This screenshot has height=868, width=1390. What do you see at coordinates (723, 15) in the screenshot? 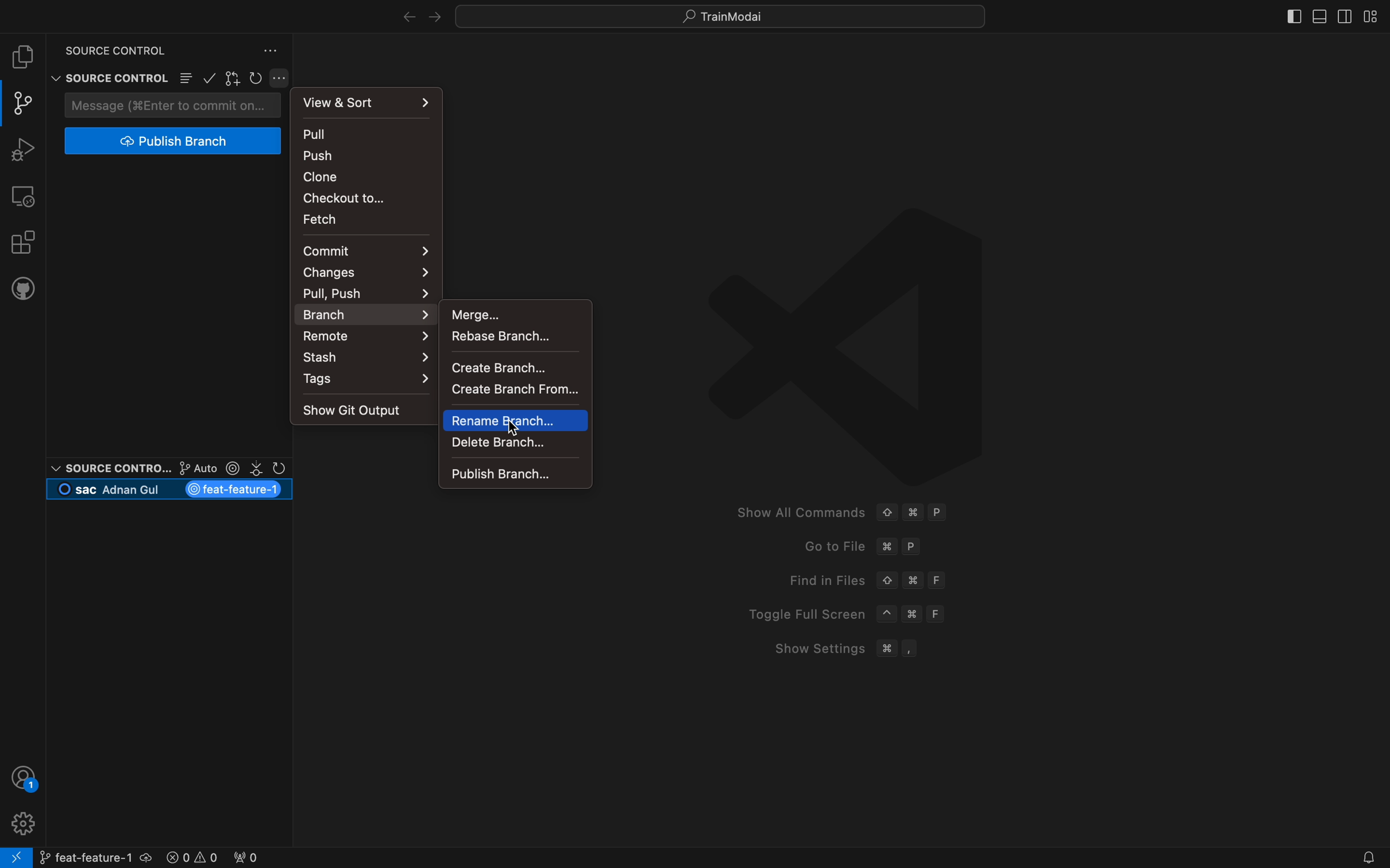
I see `quick menus` at bounding box center [723, 15].